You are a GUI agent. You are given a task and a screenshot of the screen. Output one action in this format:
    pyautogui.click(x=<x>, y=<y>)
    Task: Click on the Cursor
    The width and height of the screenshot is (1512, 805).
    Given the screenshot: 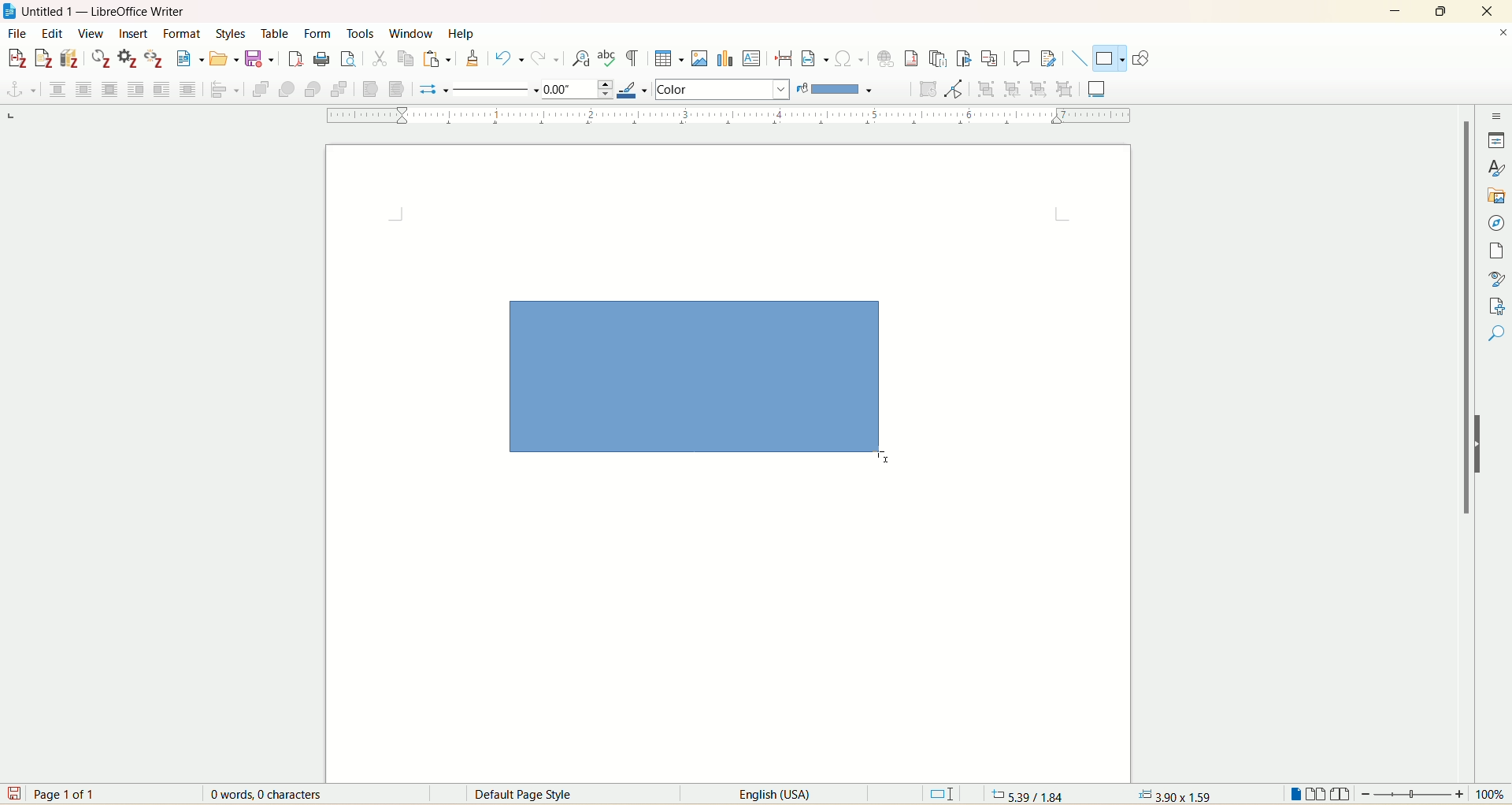 What is the action you would take?
    pyautogui.click(x=887, y=458)
    